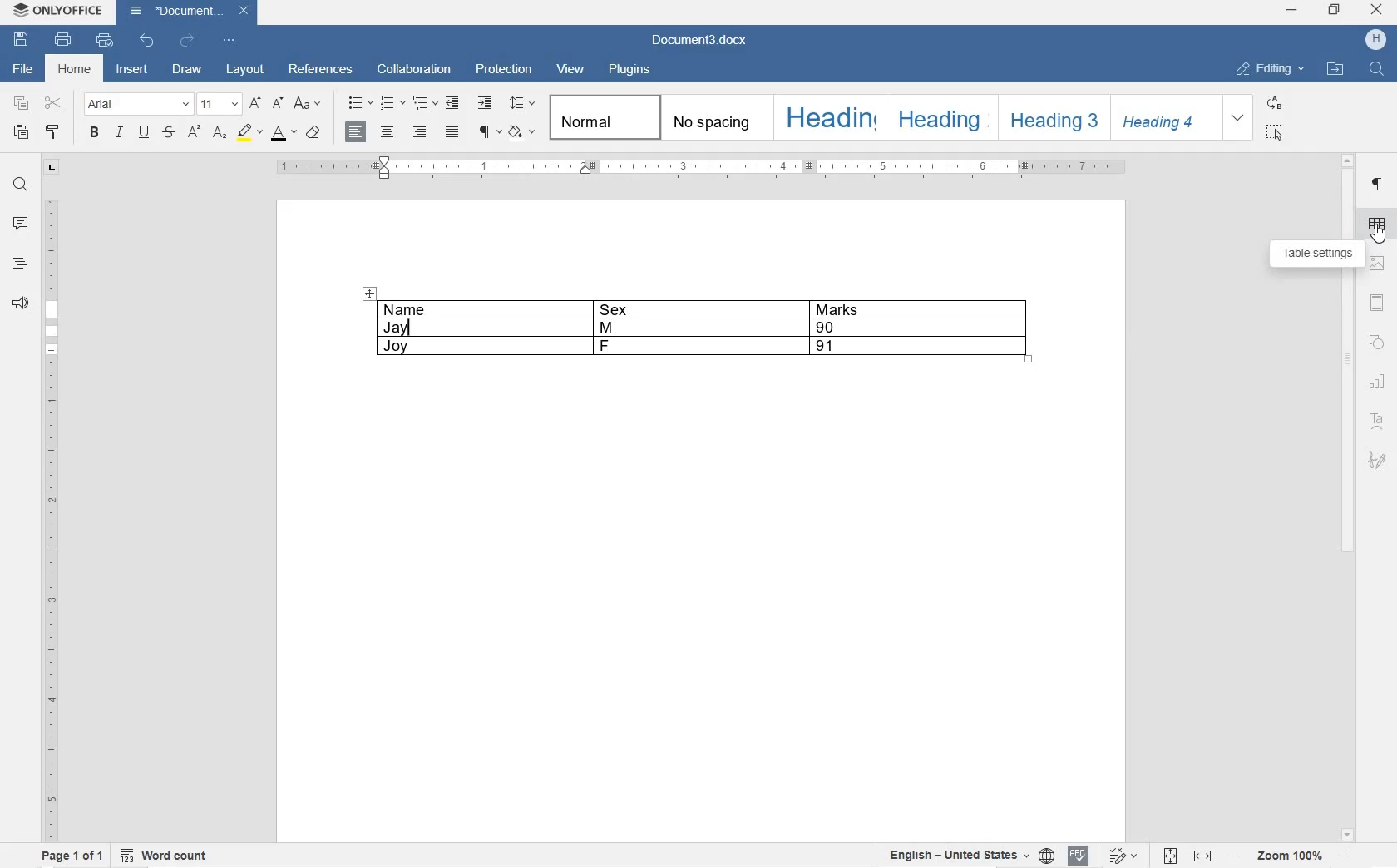  I want to click on cursor, so click(1379, 235).